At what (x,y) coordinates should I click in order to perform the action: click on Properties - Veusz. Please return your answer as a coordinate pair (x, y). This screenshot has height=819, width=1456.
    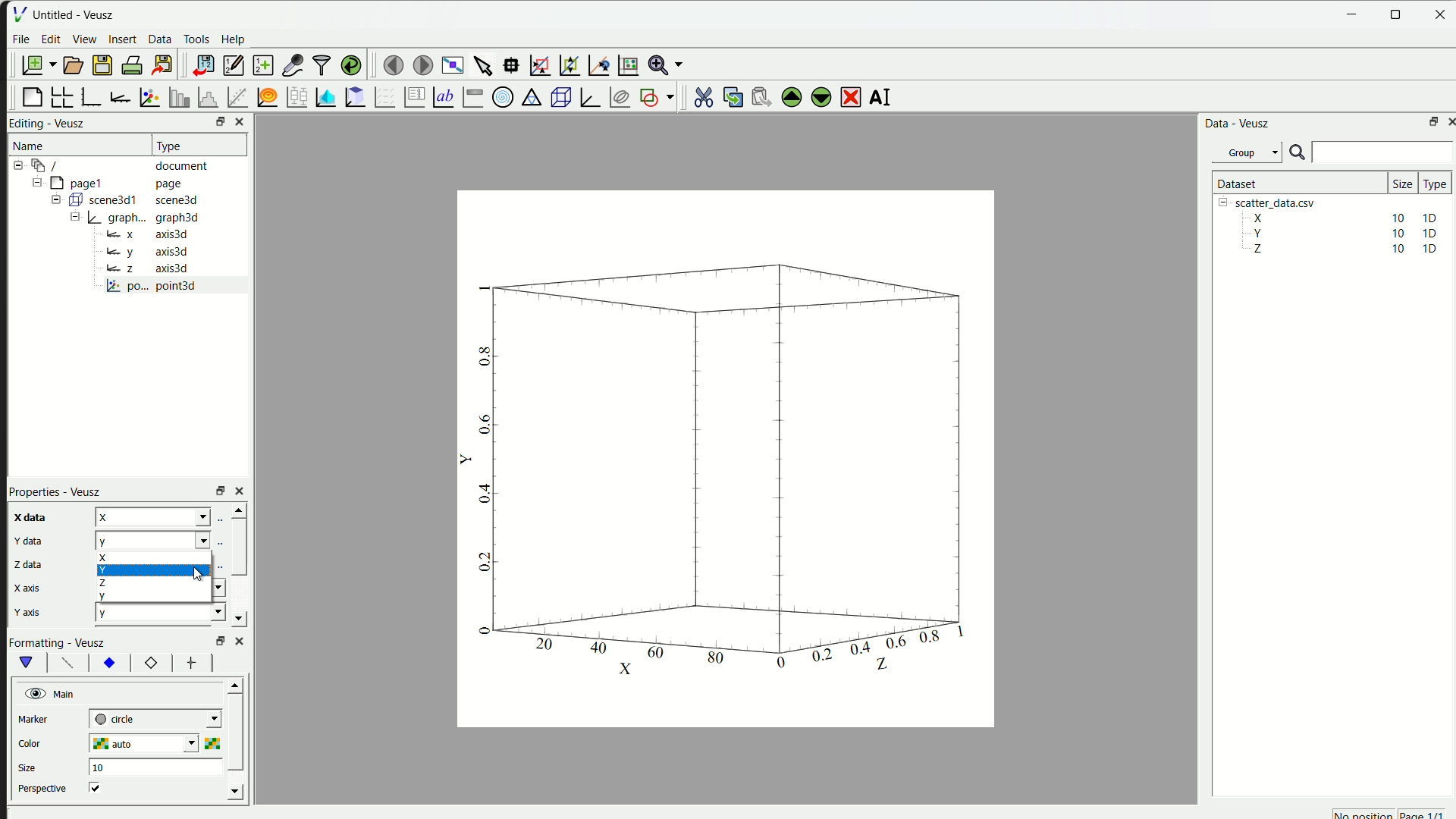
    Looking at the image, I should click on (55, 491).